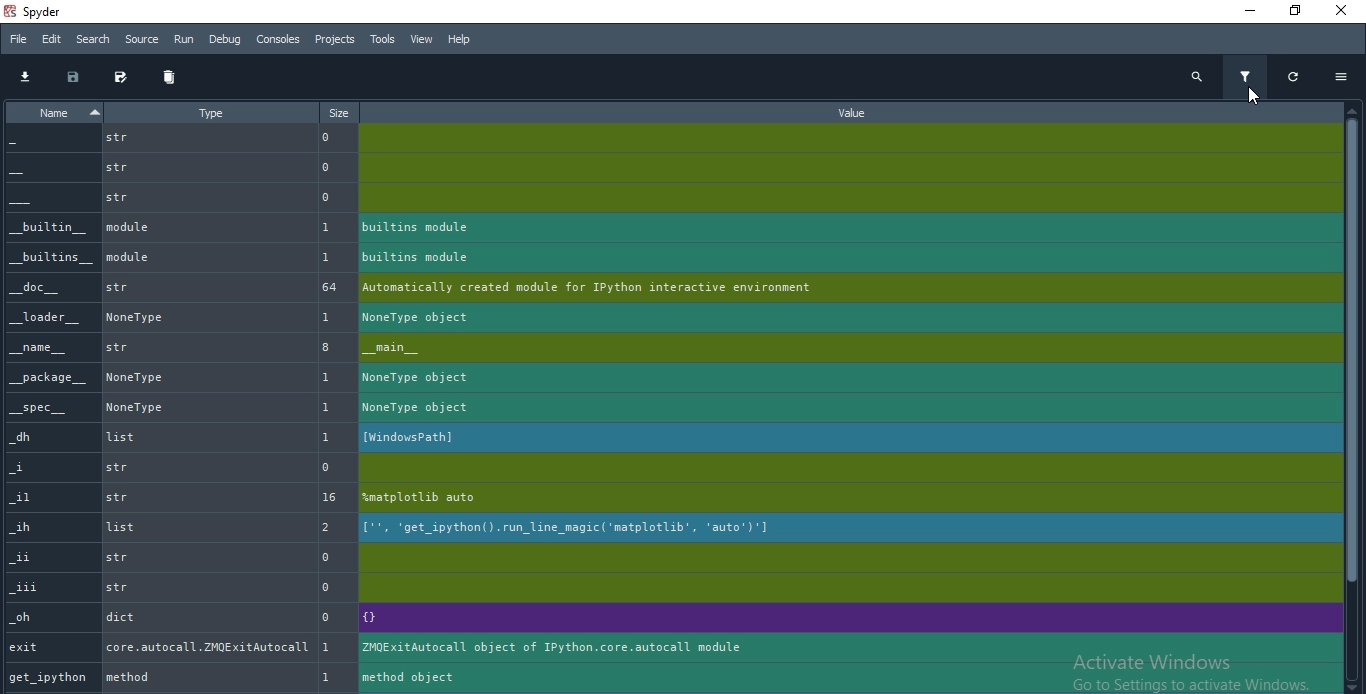 This screenshot has width=1366, height=694. I want to click on Tools, so click(380, 40).